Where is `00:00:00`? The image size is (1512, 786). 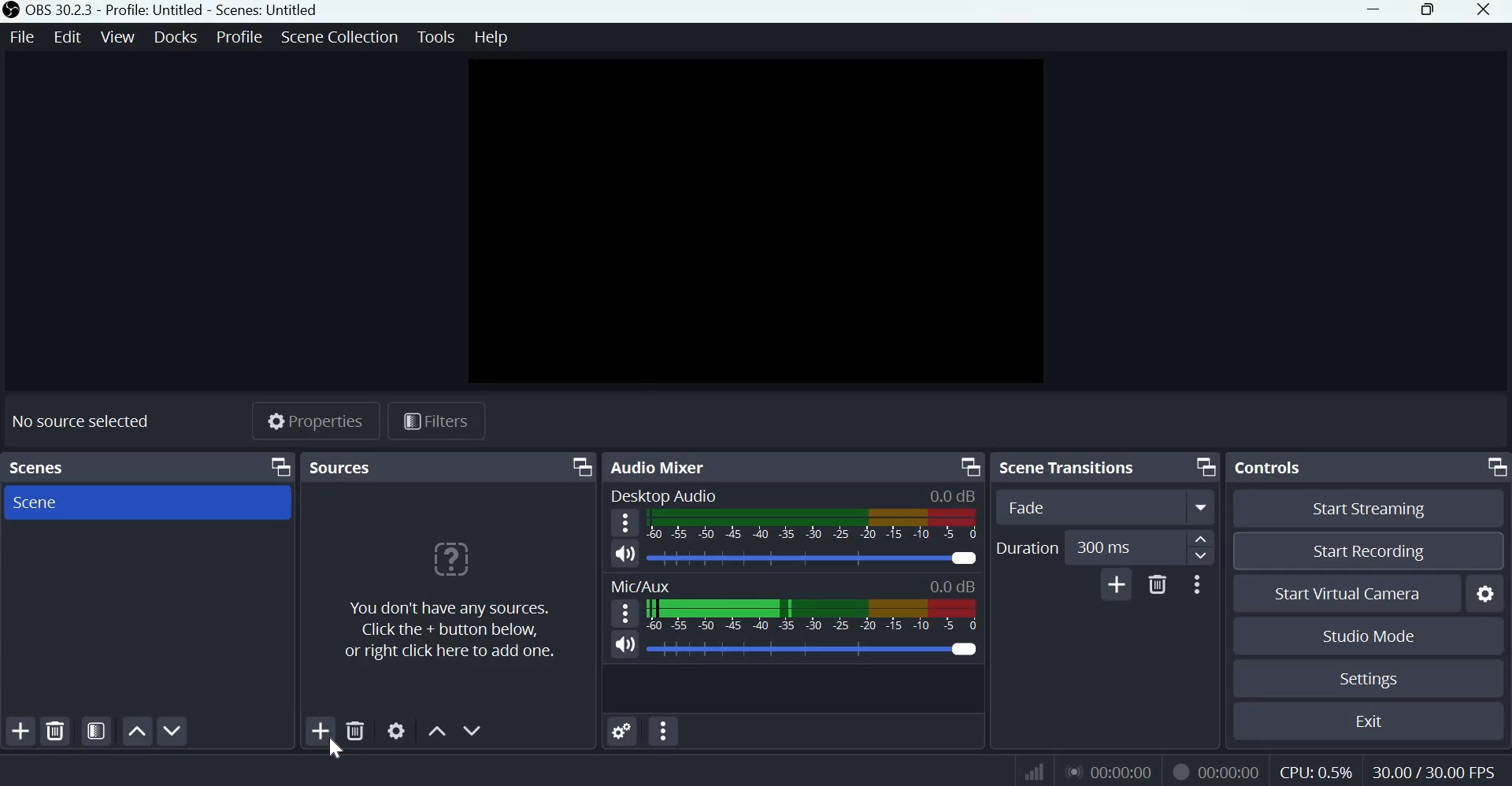
00:00:00 is located at coordinates (1113, 772).